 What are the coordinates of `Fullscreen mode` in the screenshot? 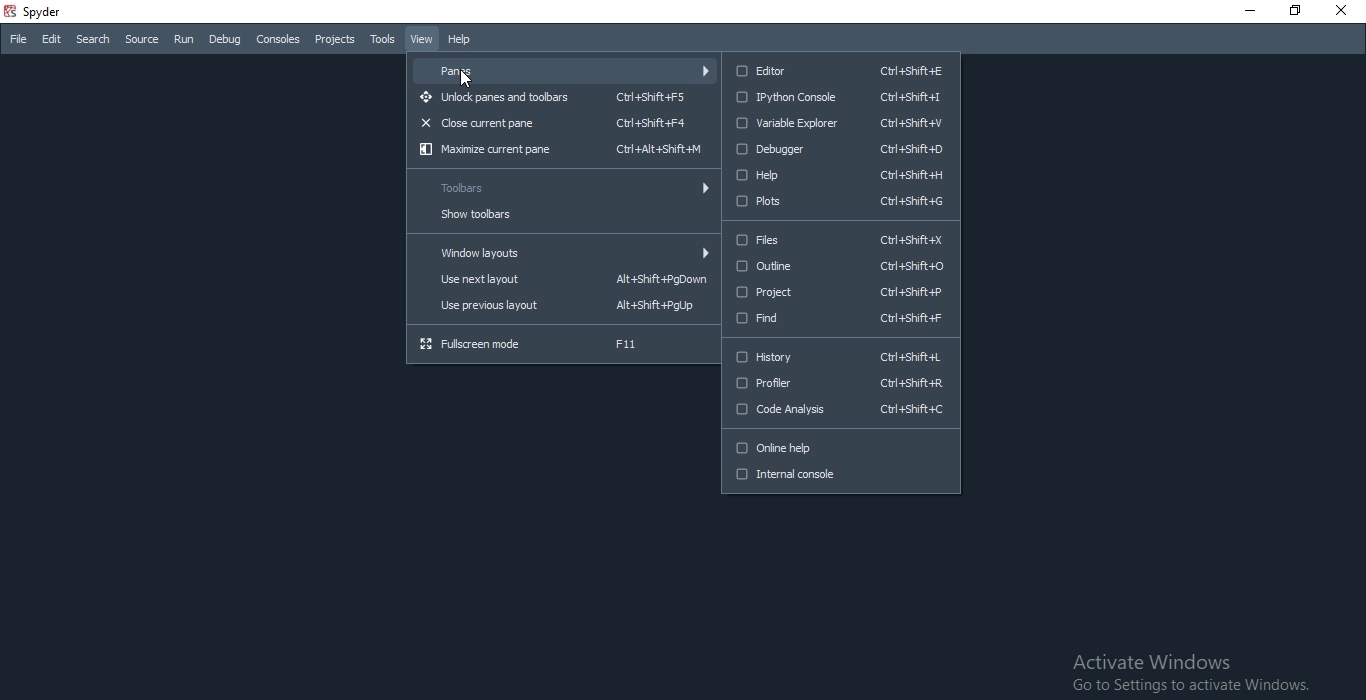 It's located at (561, 343).